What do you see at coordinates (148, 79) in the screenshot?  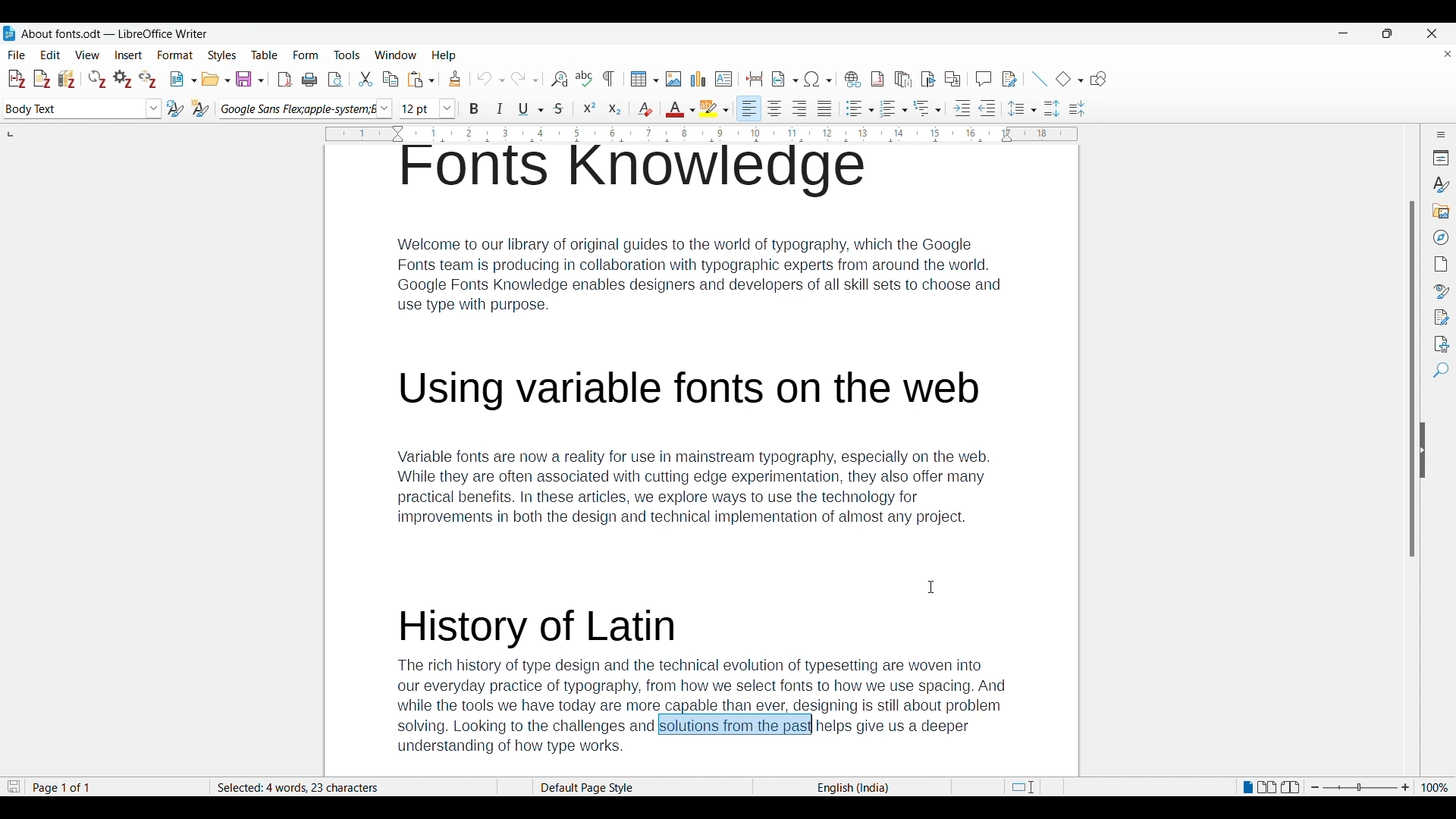 I see `Unlink citations` at bounding box center [148, 79].